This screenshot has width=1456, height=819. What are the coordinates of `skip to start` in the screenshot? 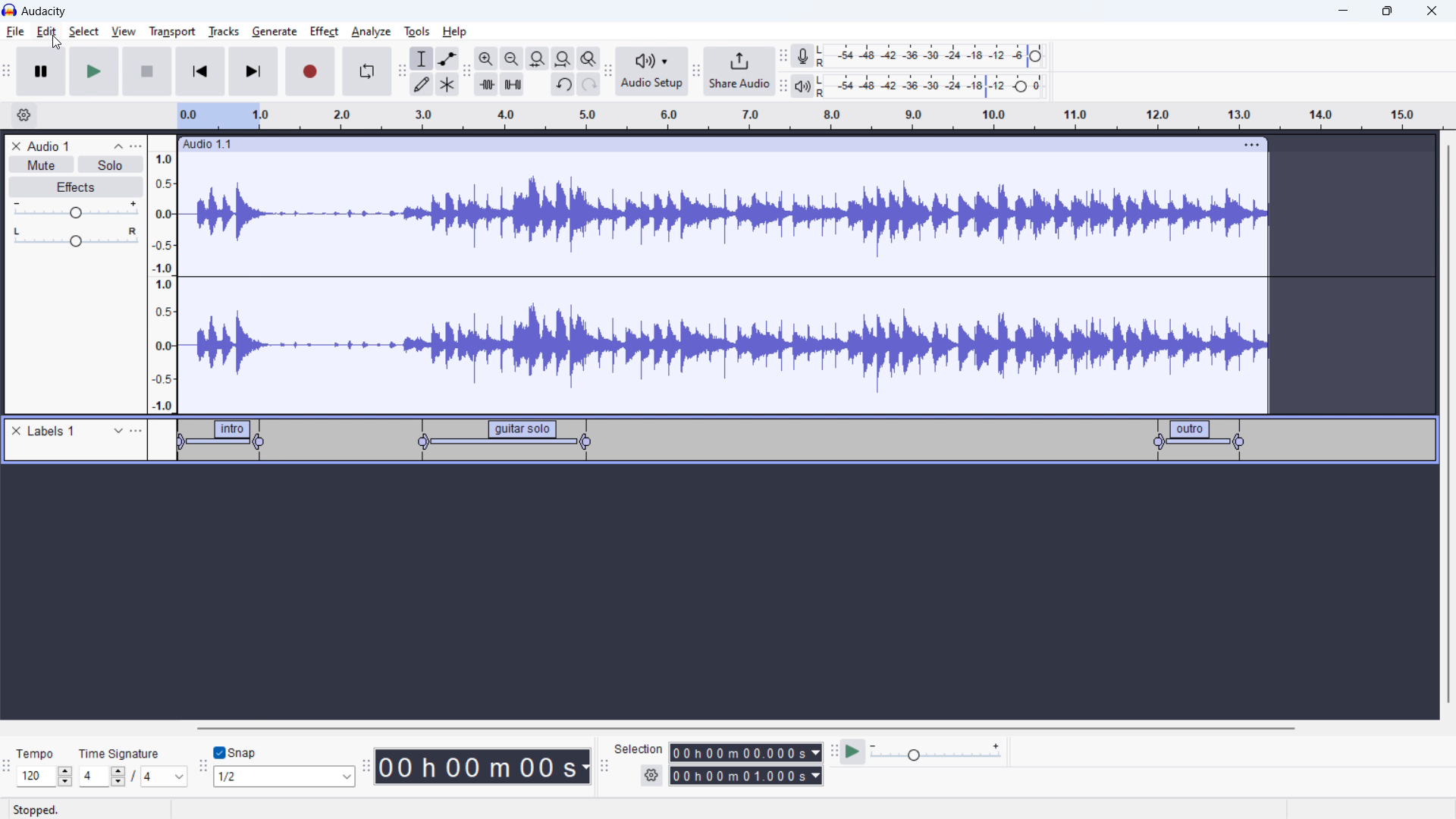 It's located at (200, 71).